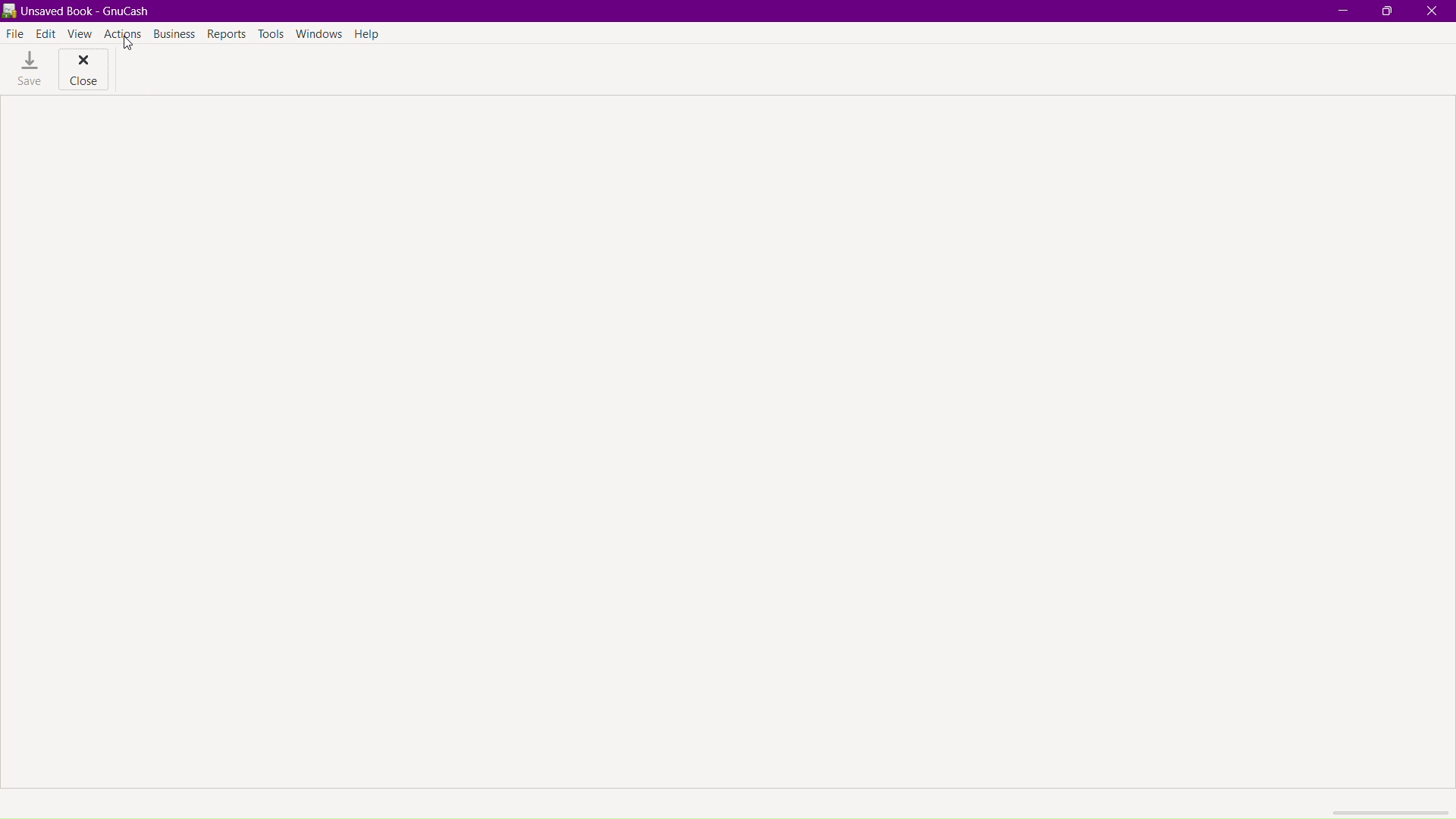 The height and width of the screenshot is (819, 1456). I want to click on unsaved book gnucash, so click(86, 11).